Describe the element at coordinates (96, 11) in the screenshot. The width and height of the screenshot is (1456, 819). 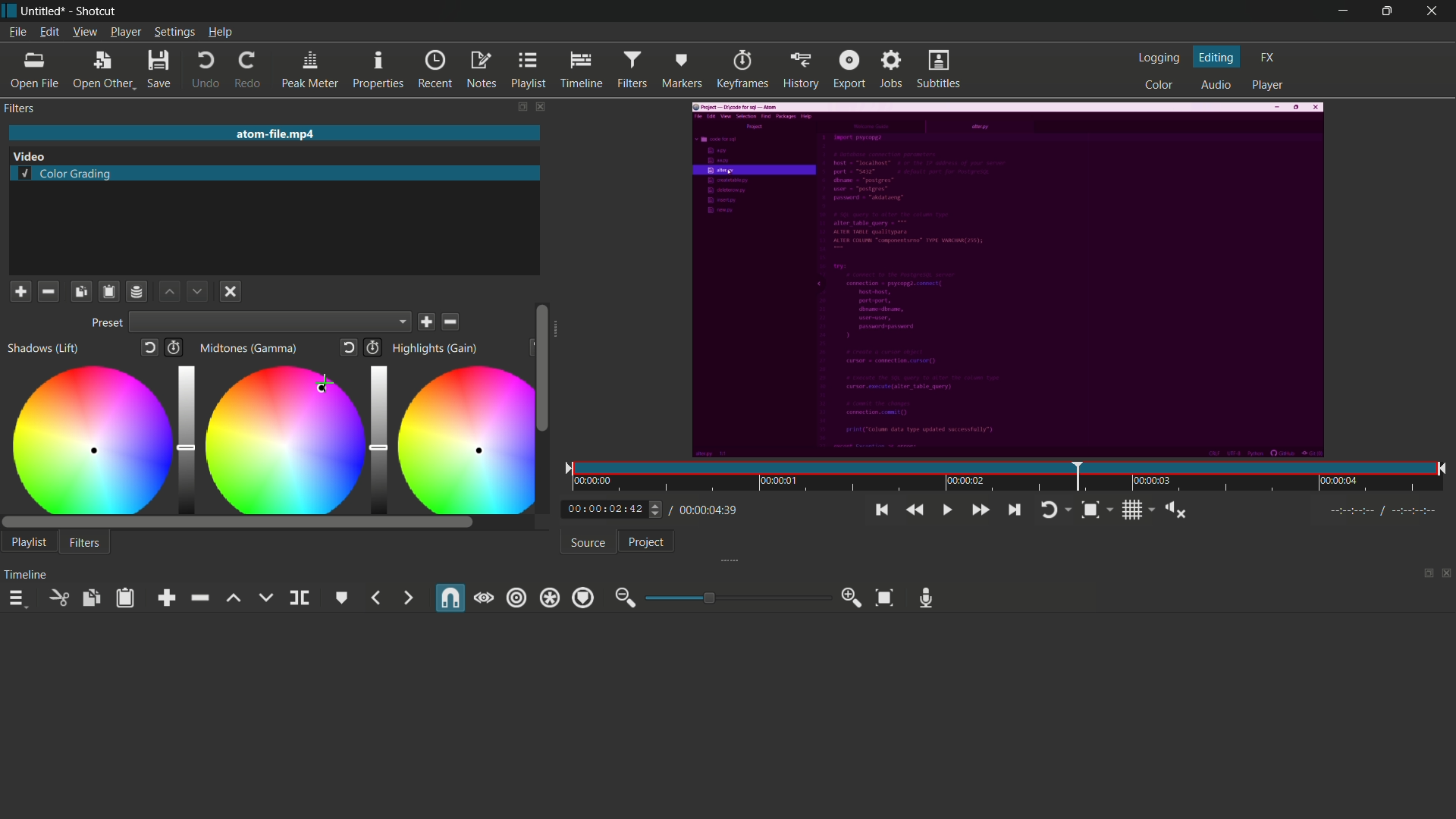
I see `app name` at that location.